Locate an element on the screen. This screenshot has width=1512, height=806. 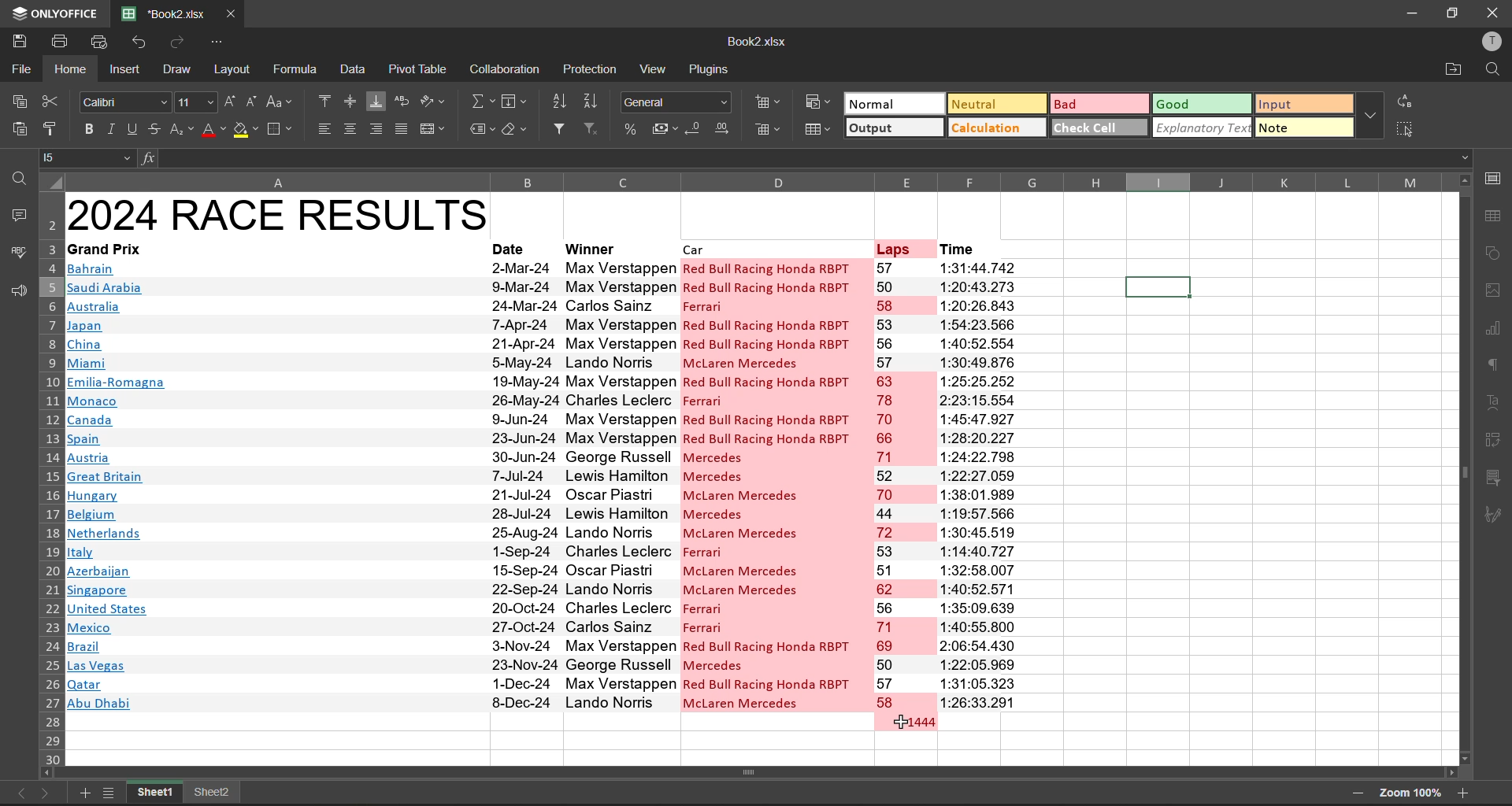
undo is located at coordinates (135, 43).